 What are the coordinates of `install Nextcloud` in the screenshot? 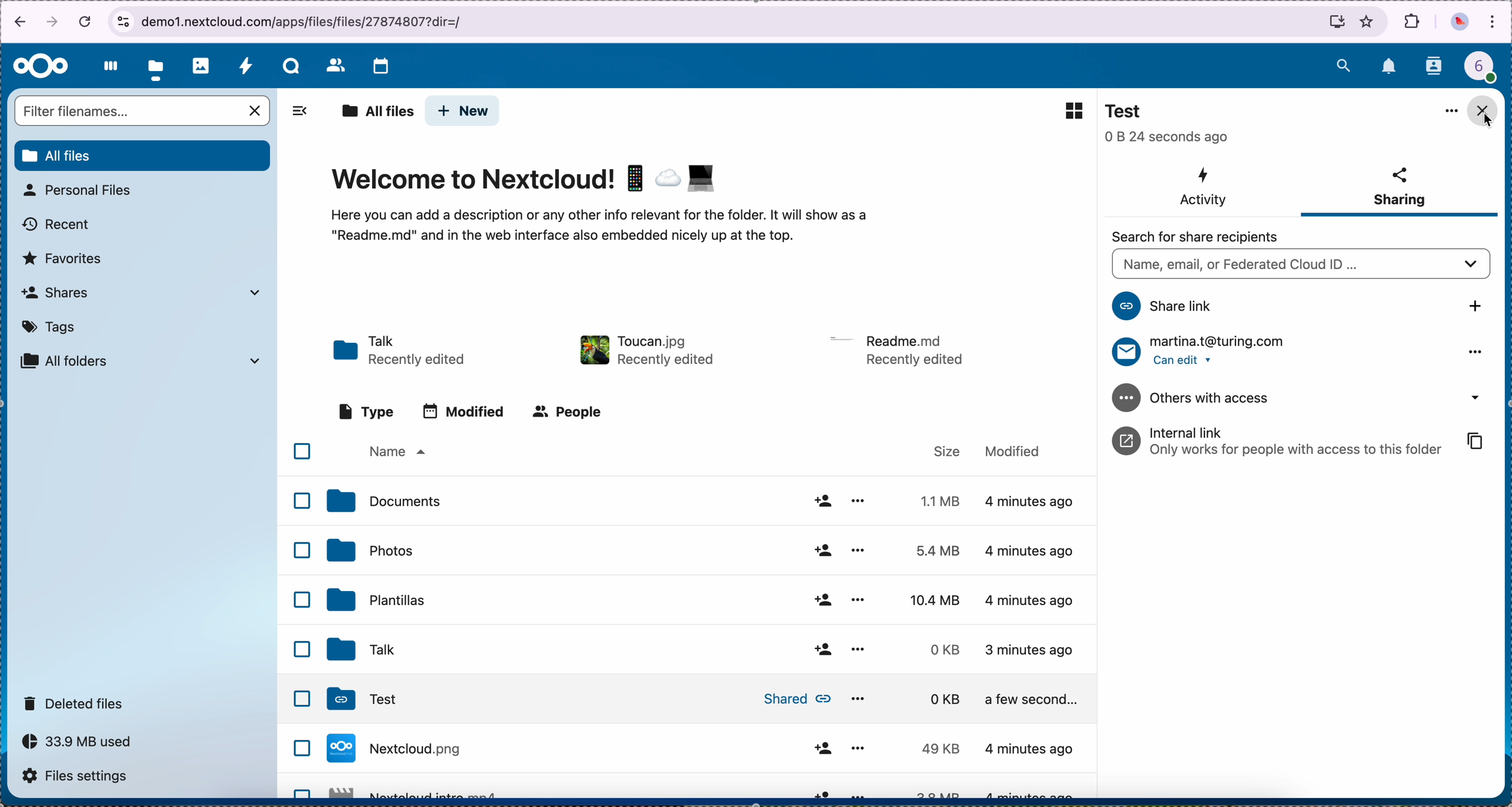 It's located at (1337, 24).